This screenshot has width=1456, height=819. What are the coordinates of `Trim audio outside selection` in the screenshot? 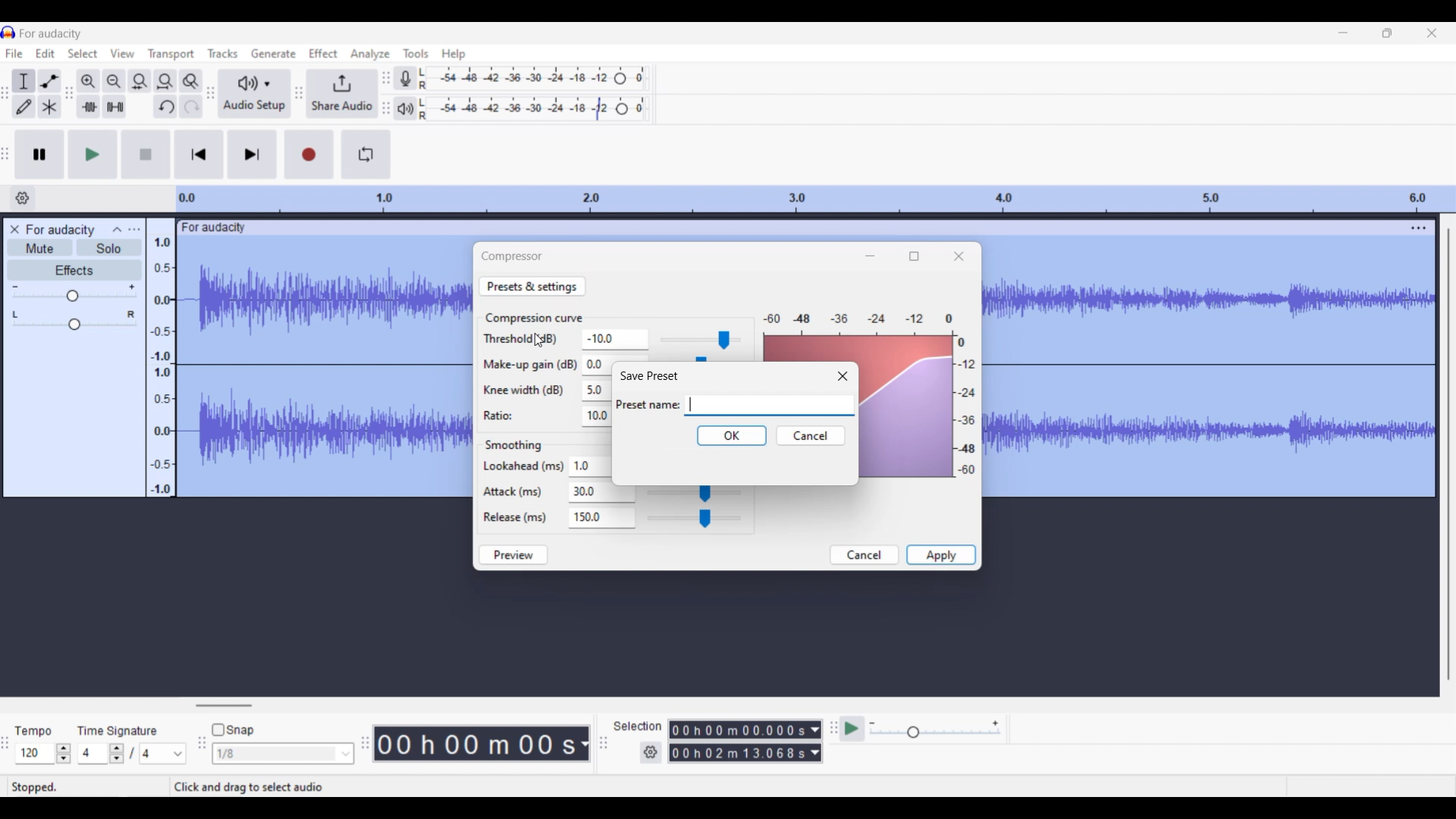 It's located at (89, 107).